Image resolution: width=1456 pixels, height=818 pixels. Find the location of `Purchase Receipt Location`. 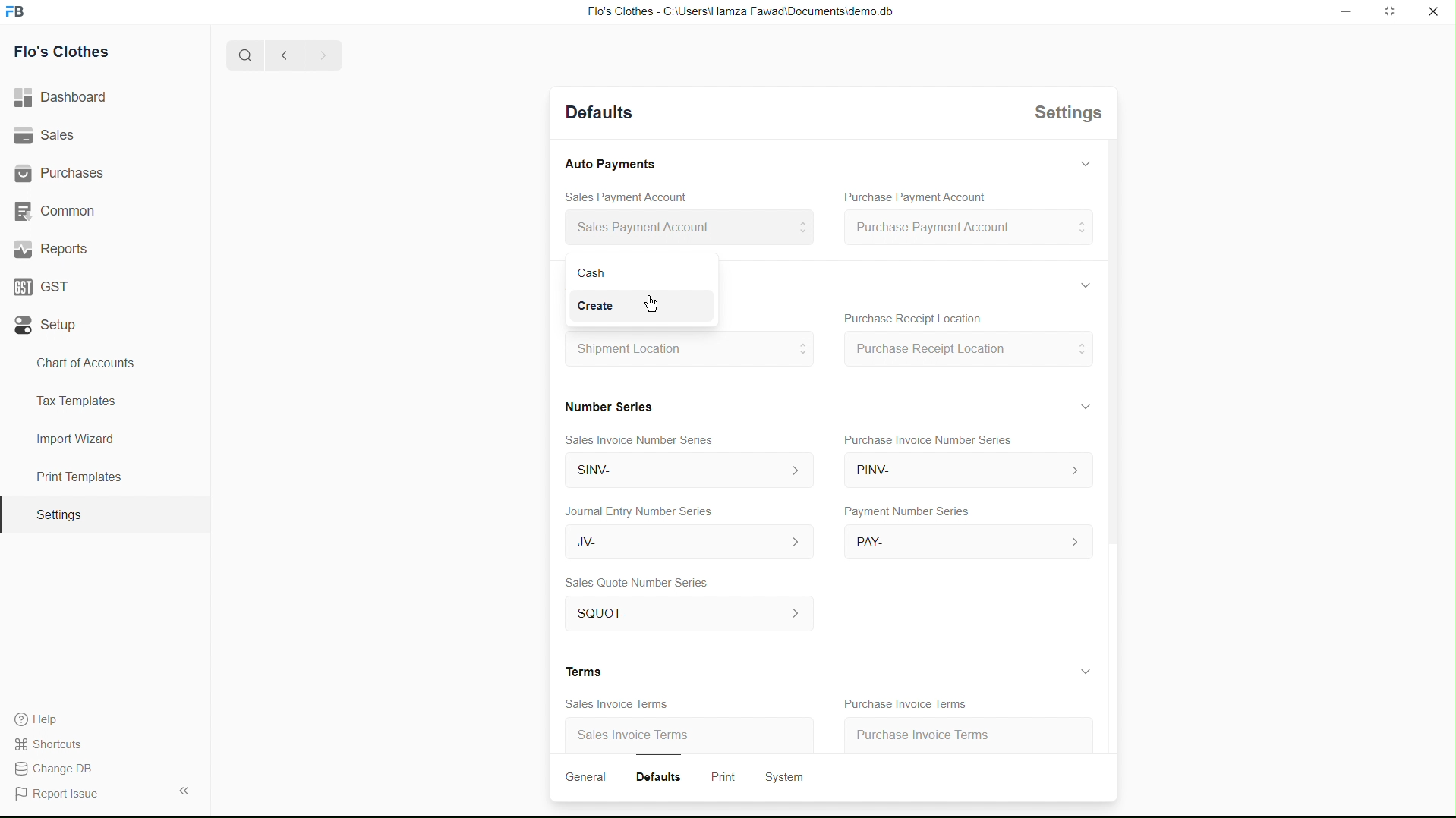

Purchase Receipt Location is located at coordinates (969, 348).